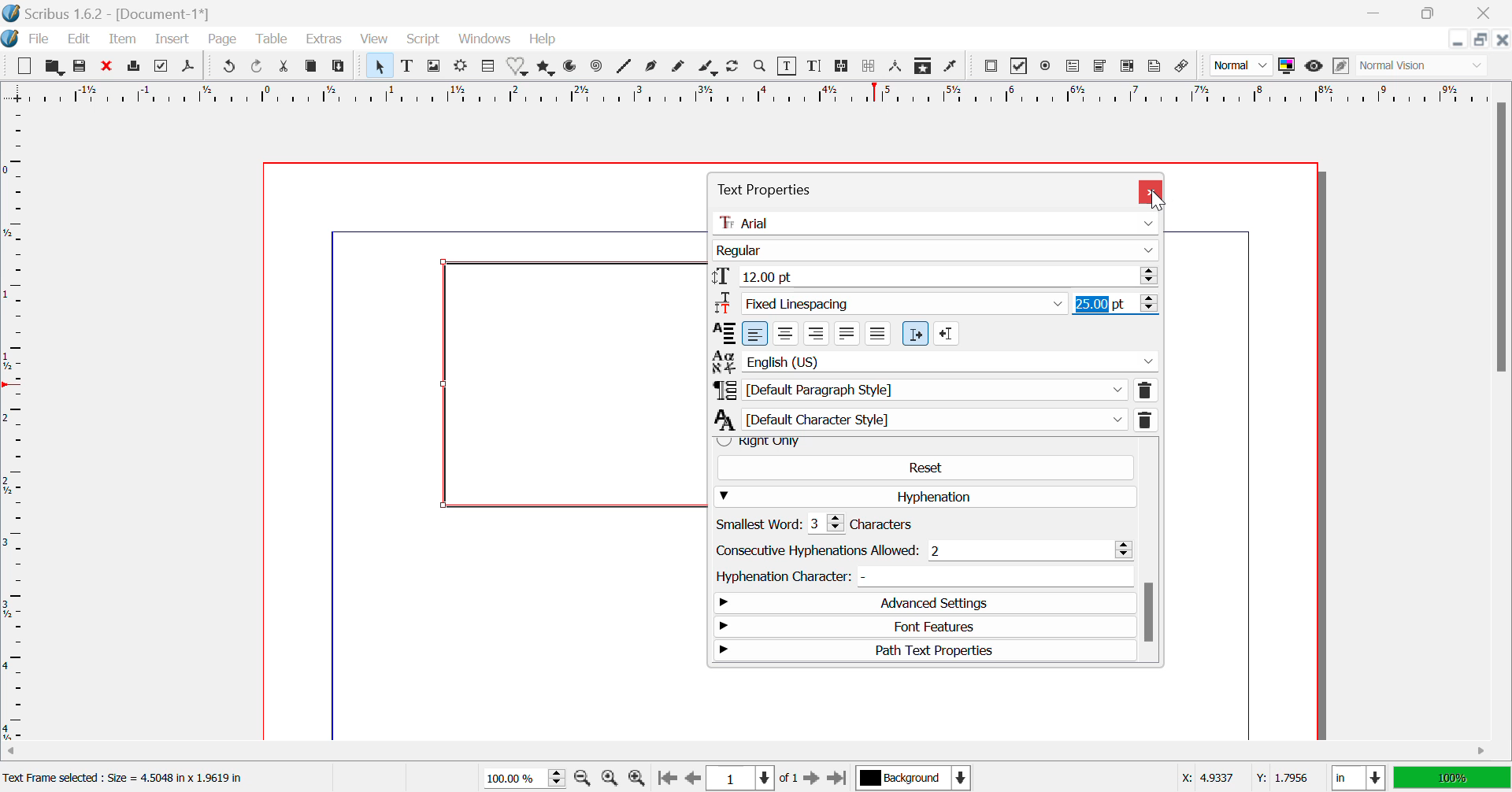 This screenshot has height=792, width=1512. Describe the element at coordinates (610, 779) in the screenshot. I see `Zoom to 100%` at that location.